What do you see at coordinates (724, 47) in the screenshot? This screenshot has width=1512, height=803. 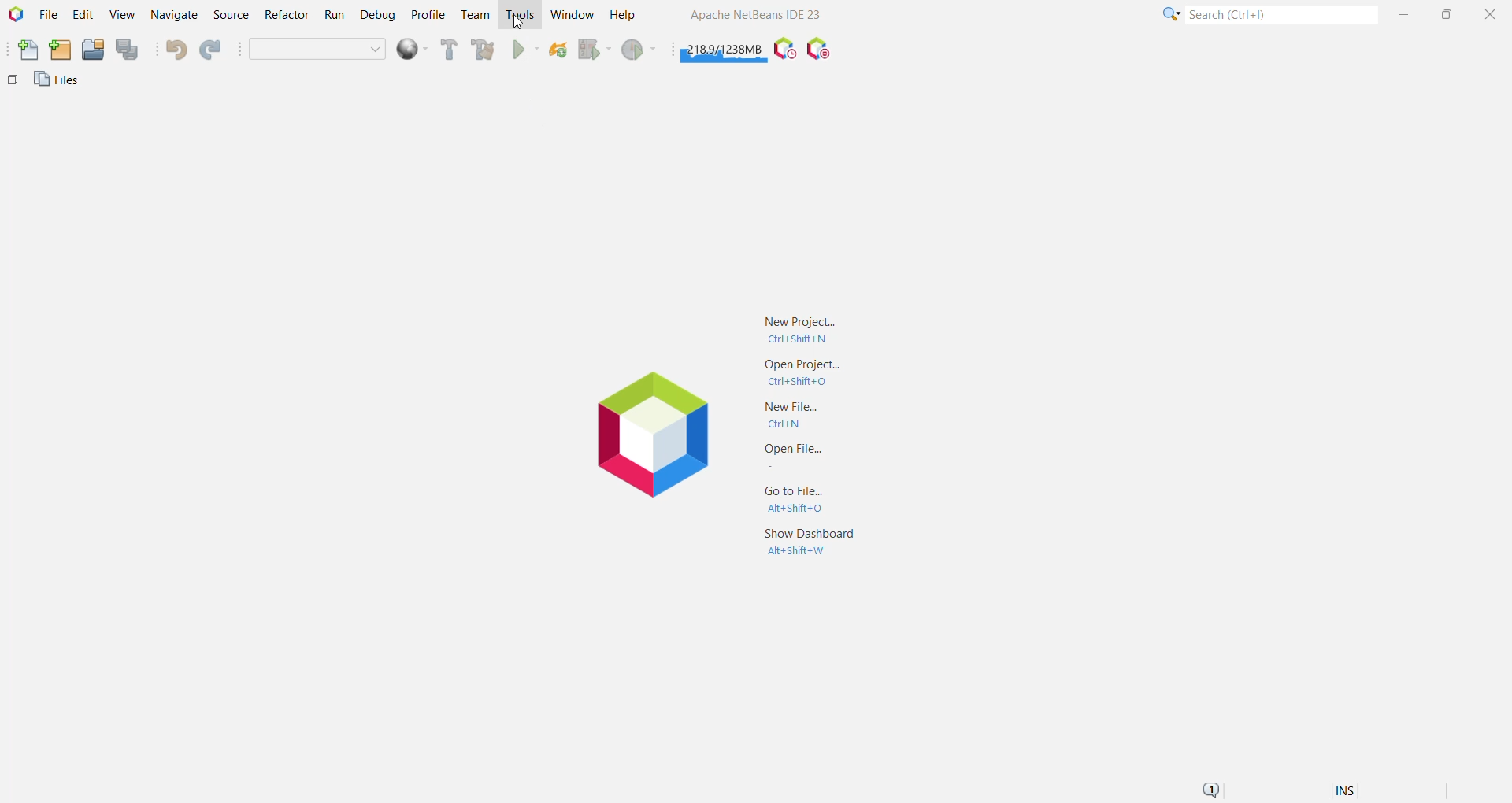 I see `Click to force garbage collection` at bounding box center [724, 47].